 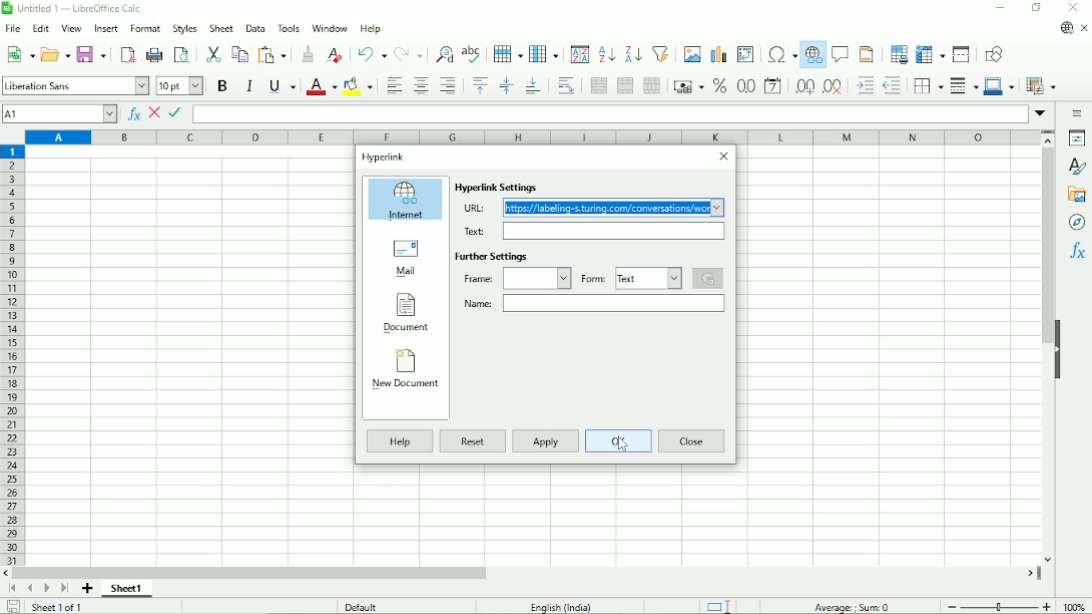 I want to click on Events, so click(x=709, y=278).